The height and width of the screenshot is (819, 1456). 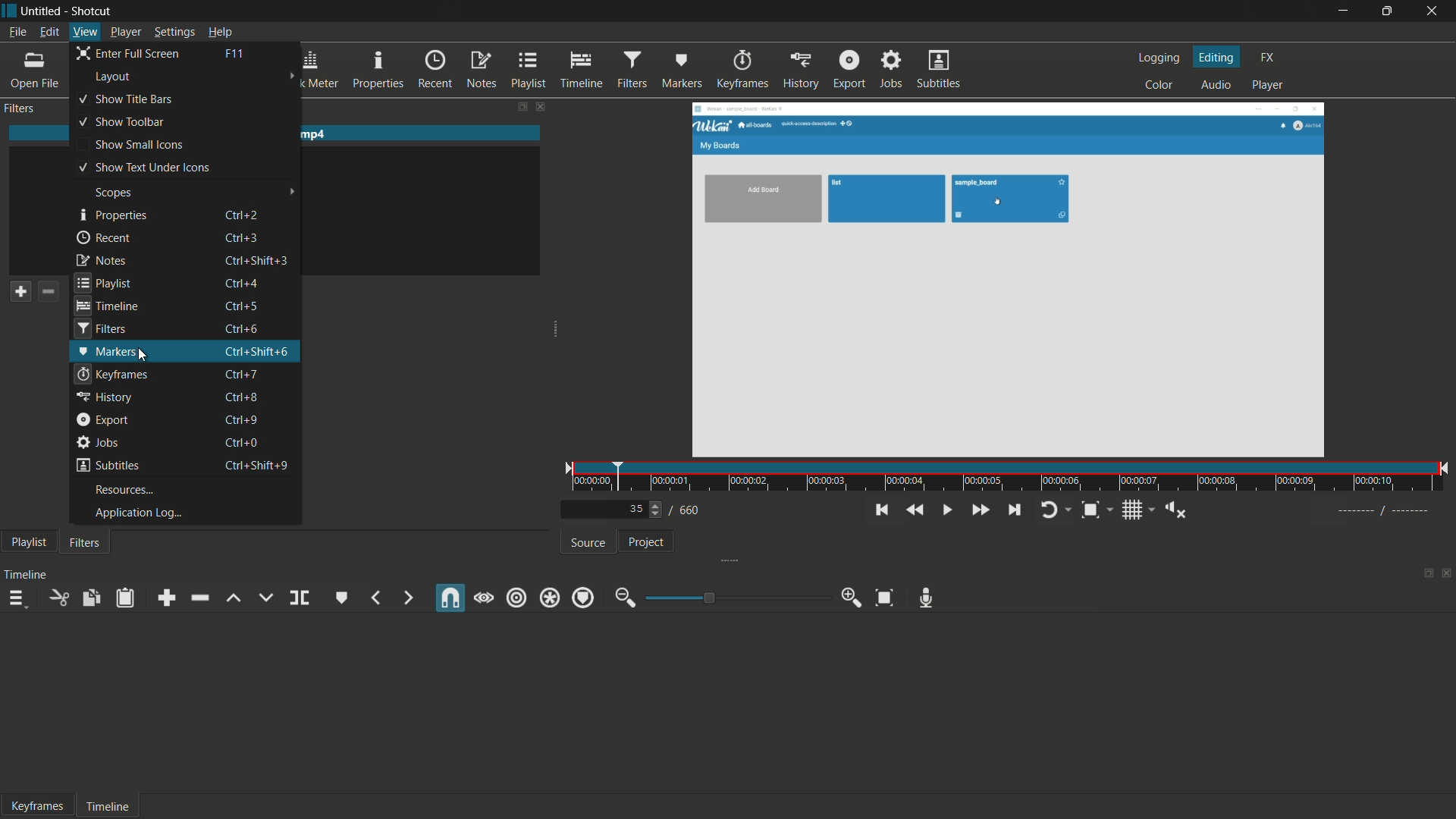 What do you see at coordinates (99, 443) in the screenshot?
I see `jobs` at bounding box center [99, 443].